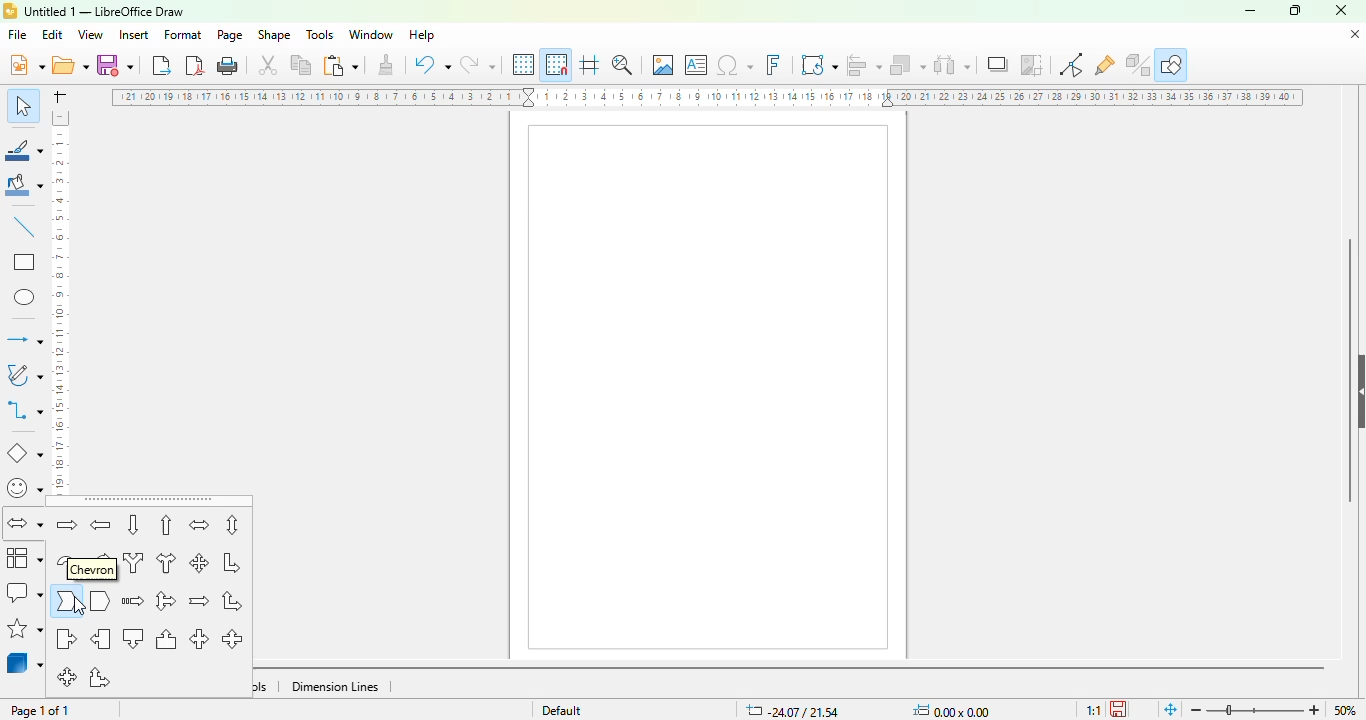  Describe the element at coordinates (1138, 65) in the screenshot. I see `toggle extrusion` at that location.